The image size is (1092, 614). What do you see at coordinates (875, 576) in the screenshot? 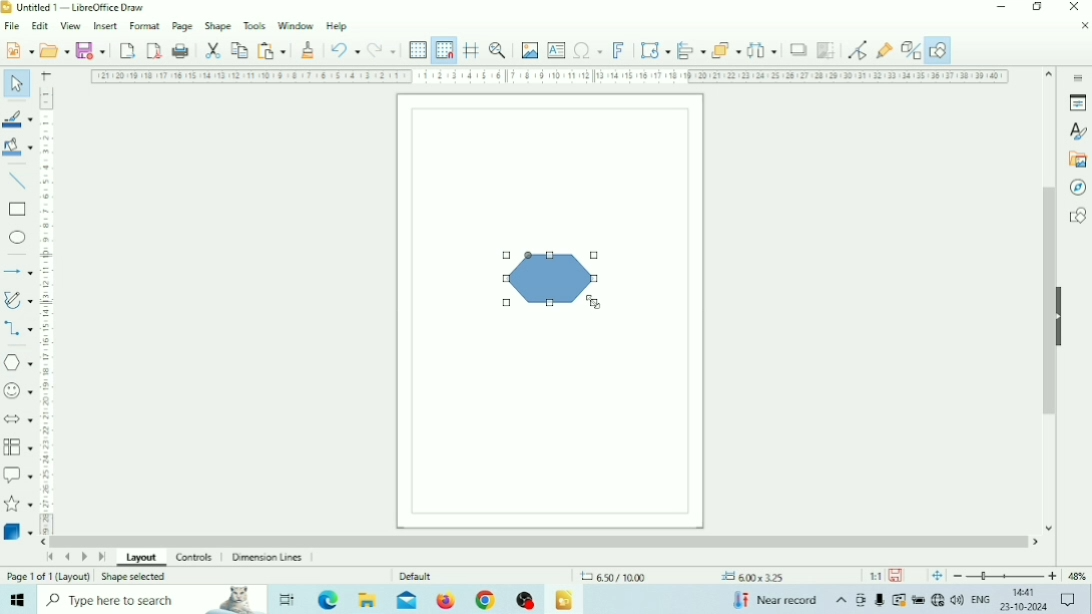
I see `Scaling factor` at bounding box center [875, 576].